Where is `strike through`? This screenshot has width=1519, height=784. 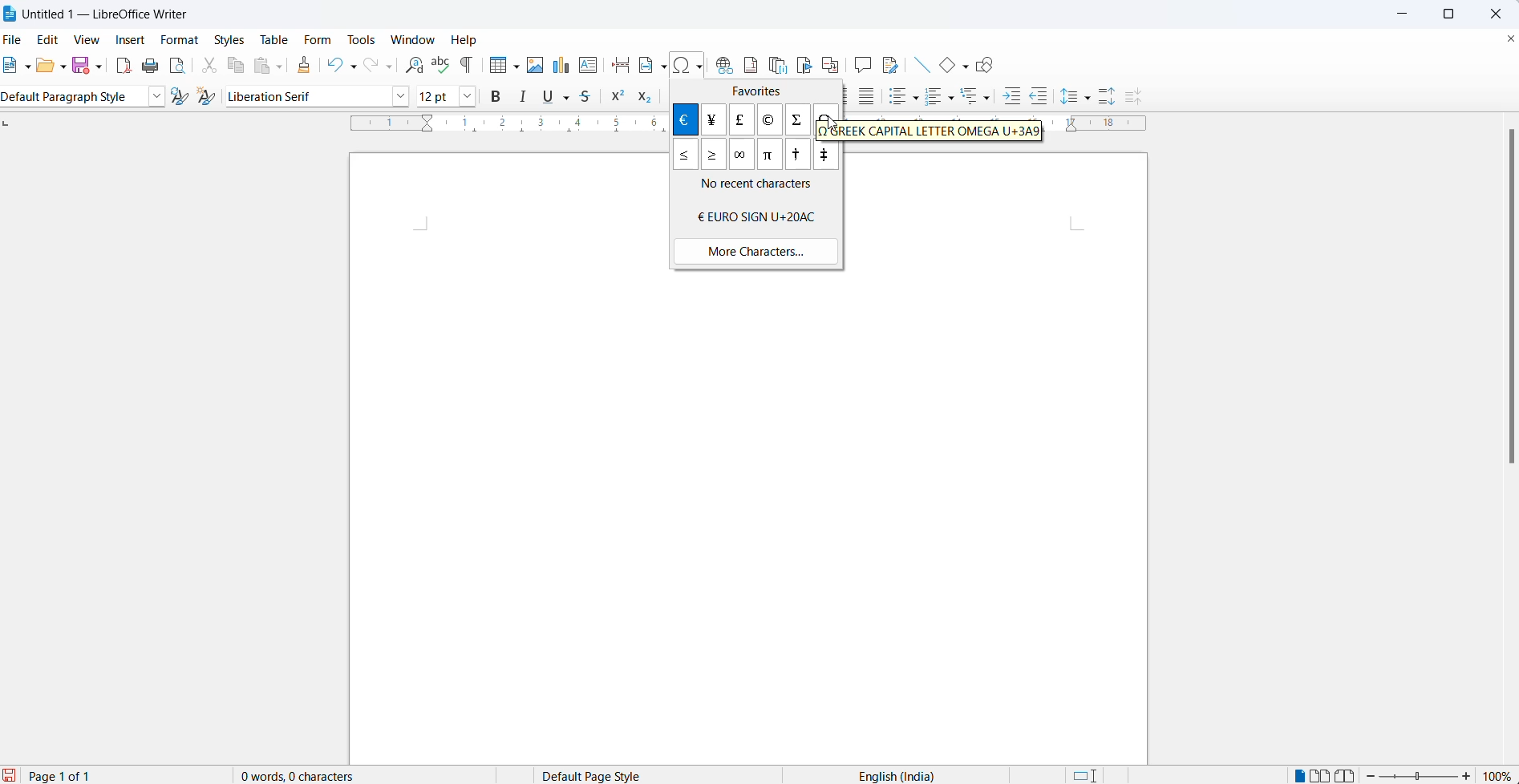
strike through is located at coordinates (591, 98).